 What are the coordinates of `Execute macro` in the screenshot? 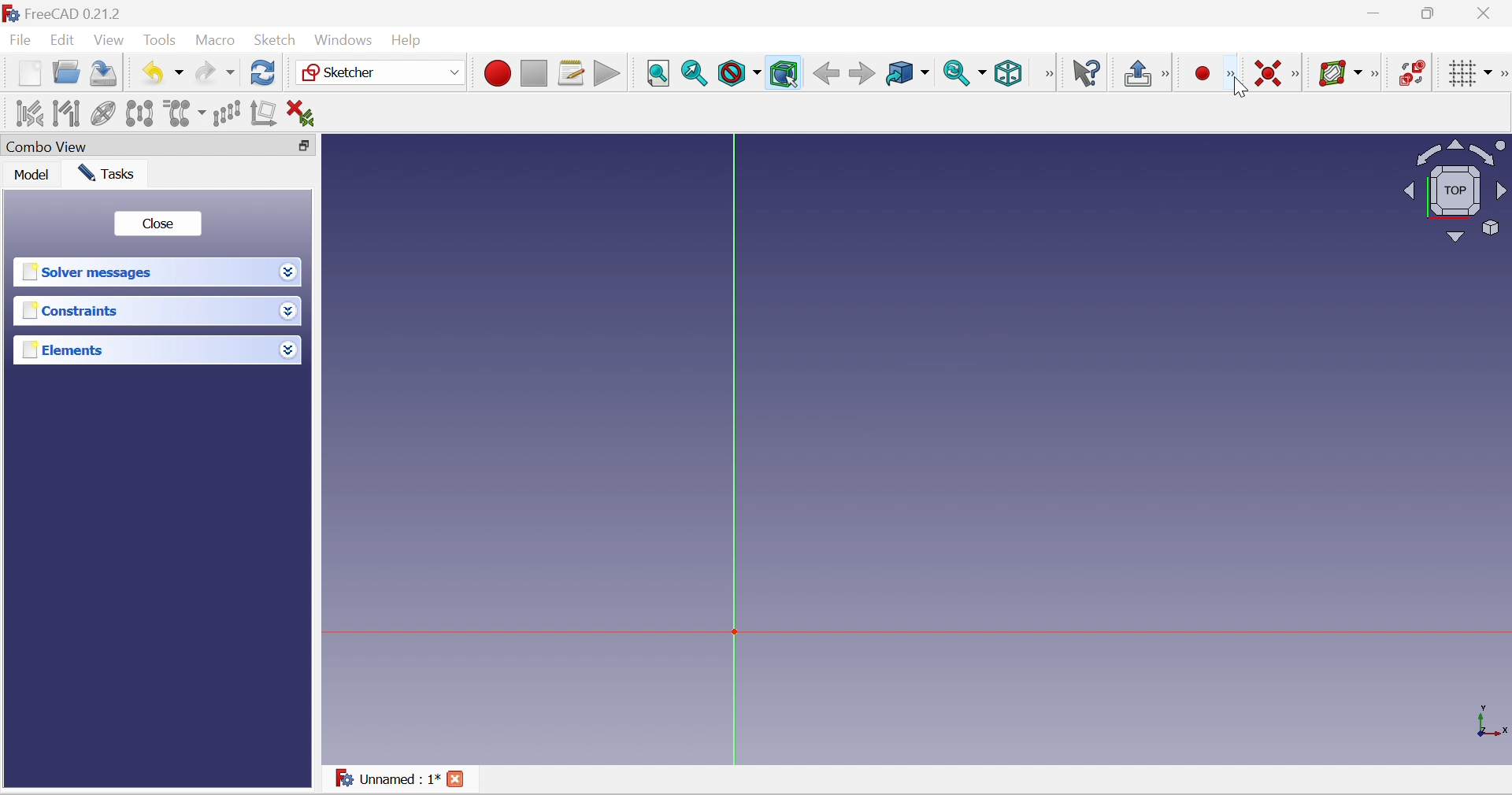 It's located at (605, 72).